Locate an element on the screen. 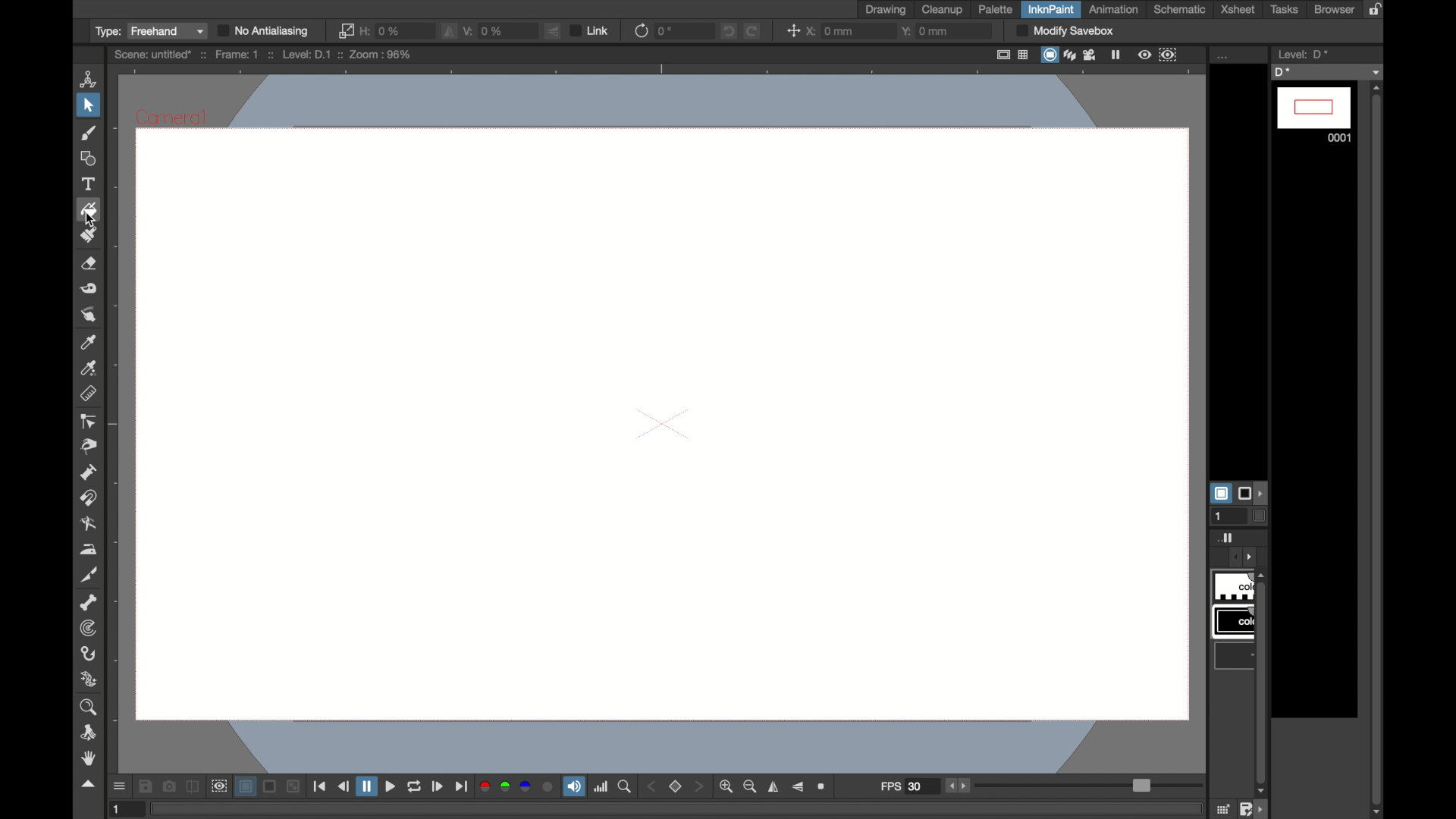 Image resolution: width=1456 pixels, height=819 pixels. previous frame is located at coordinates (344, 786).